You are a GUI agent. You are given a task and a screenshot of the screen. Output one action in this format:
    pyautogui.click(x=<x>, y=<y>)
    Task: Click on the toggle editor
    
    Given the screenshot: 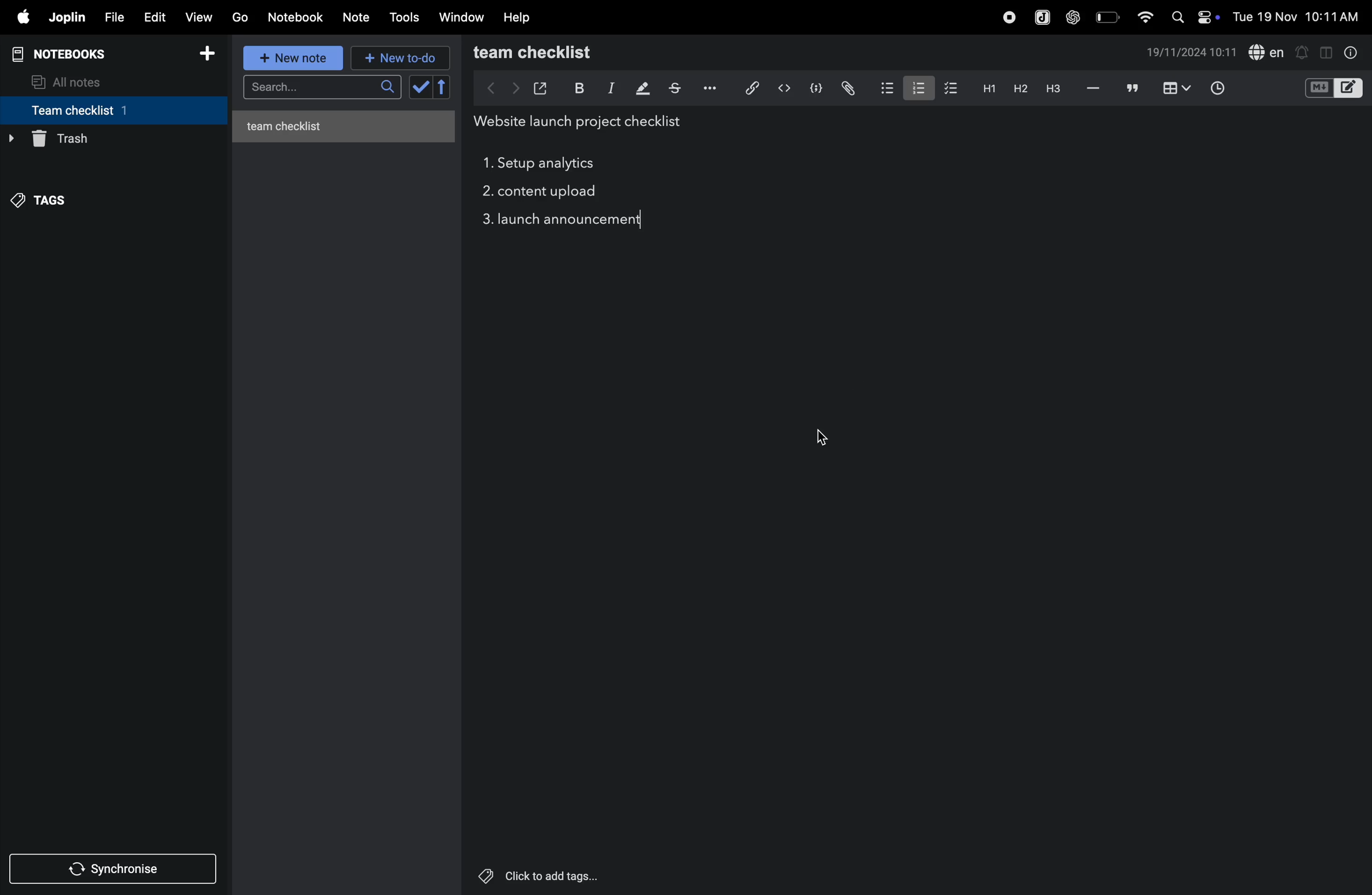 What is the action you would take?
    pyautogui.click(x=1322, y=52)
    